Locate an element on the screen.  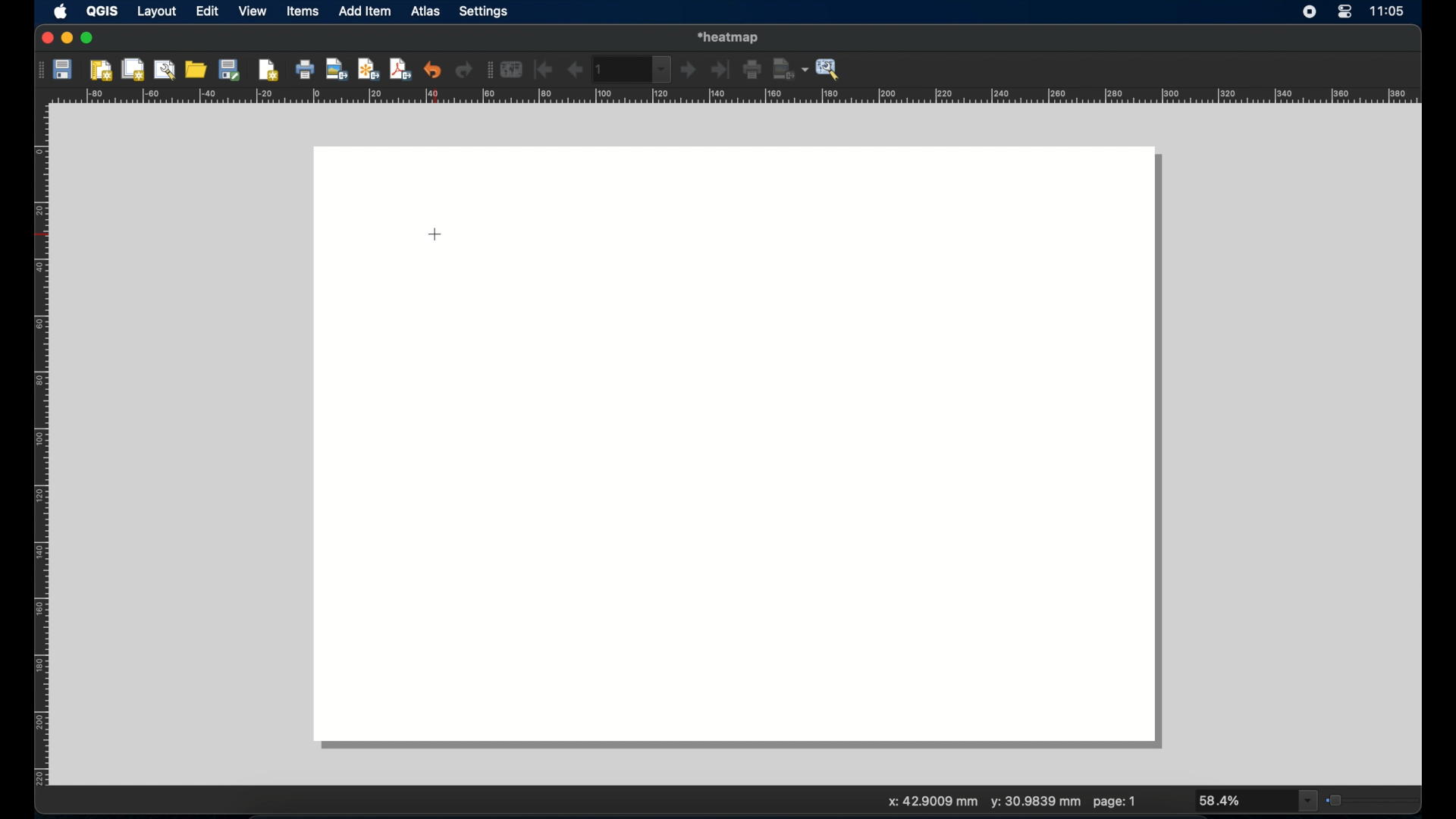
screen recorder is located at coordinates (1310, 13).